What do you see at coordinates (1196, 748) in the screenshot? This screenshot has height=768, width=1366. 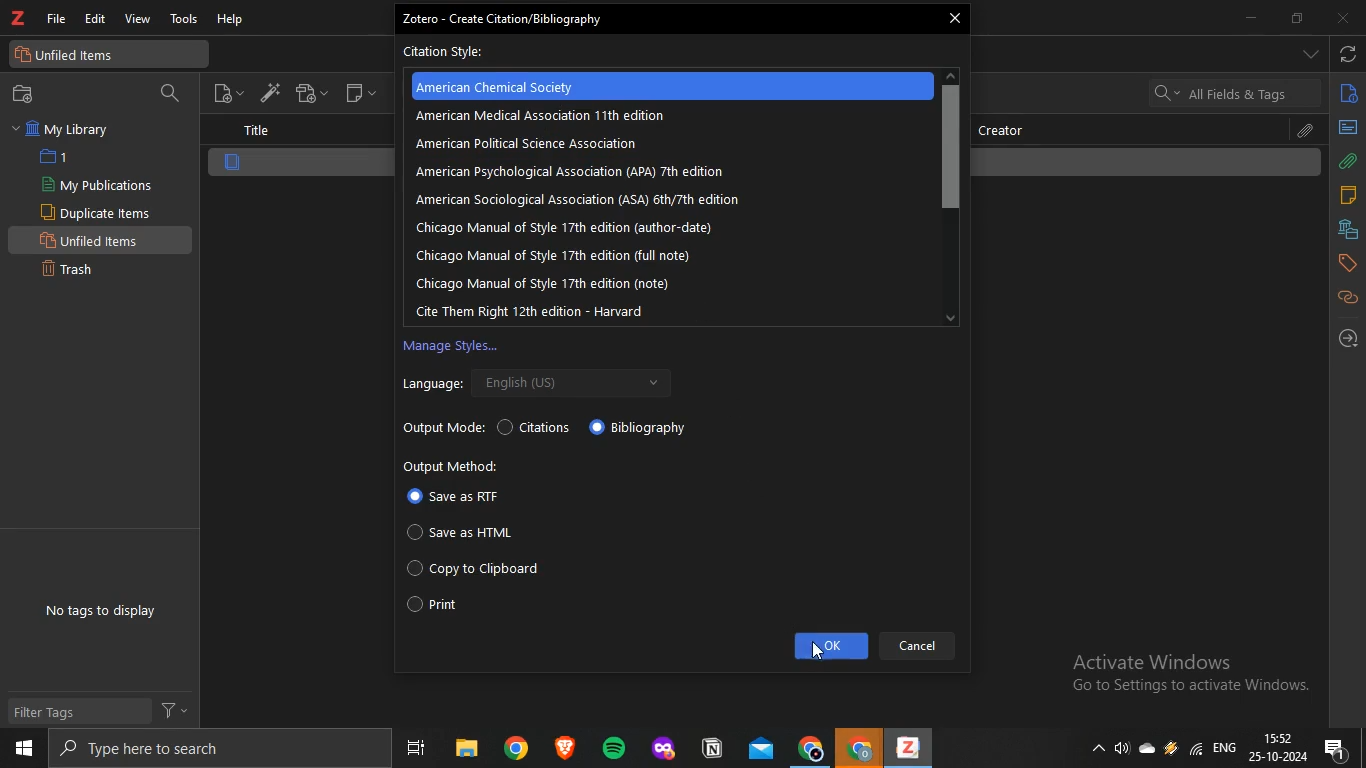 I see `wifi` at bounding box center [1196, 748].